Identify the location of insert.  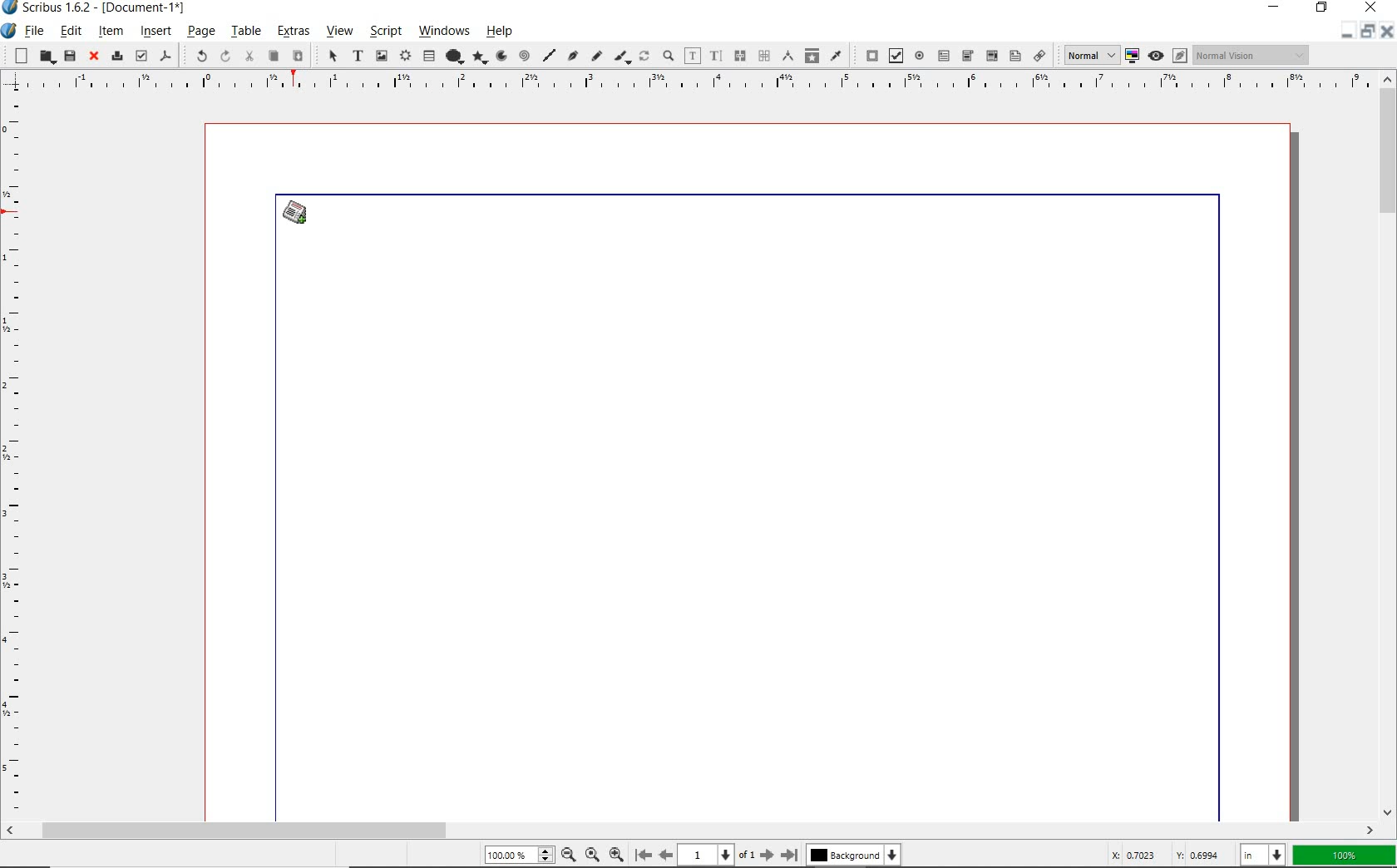
(155, 32).